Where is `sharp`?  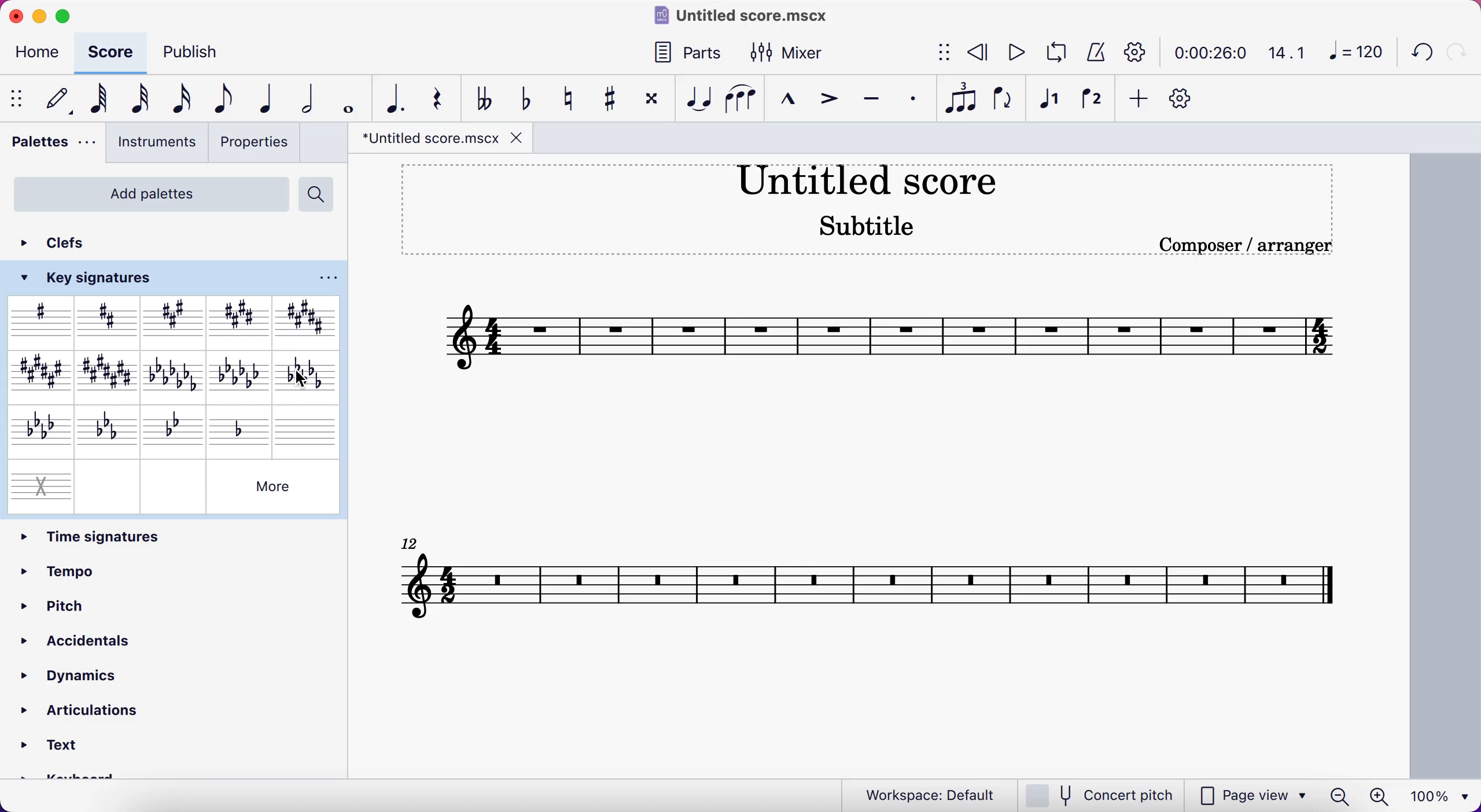
sharp is located at coordinates (39, 320).